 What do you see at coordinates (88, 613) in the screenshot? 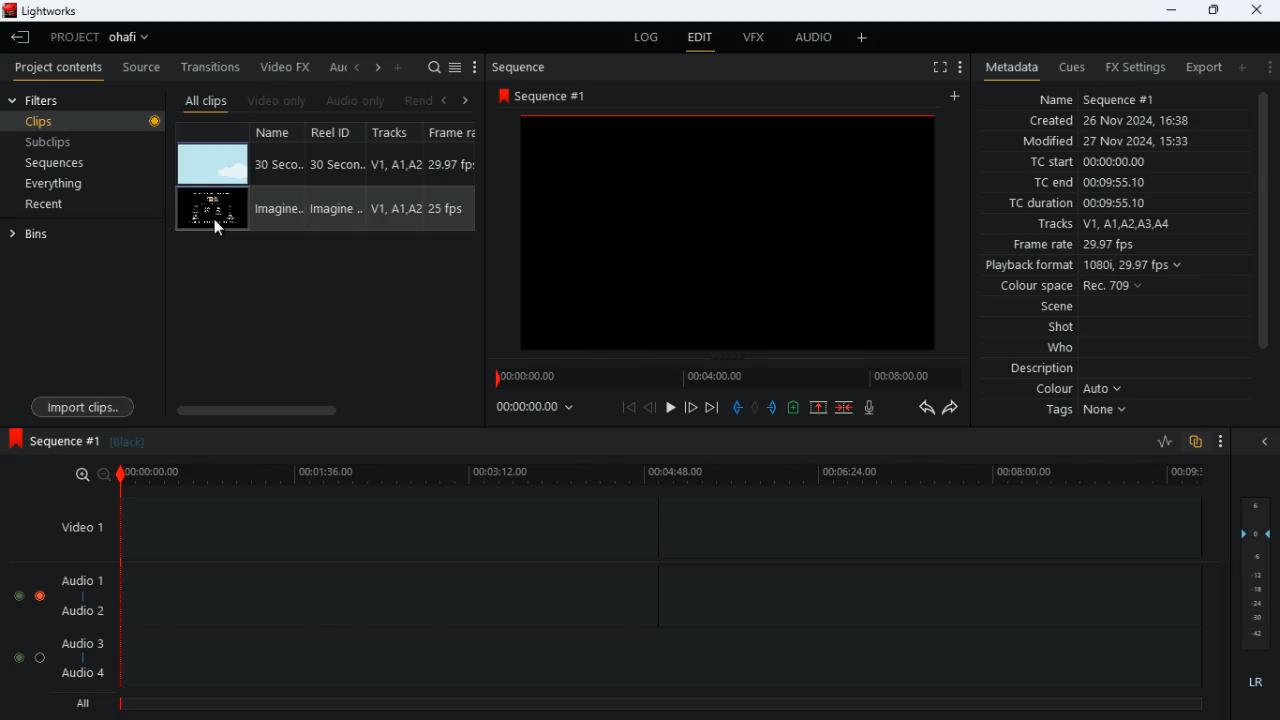
I see `audio 2` at bounding box center [88, 613].